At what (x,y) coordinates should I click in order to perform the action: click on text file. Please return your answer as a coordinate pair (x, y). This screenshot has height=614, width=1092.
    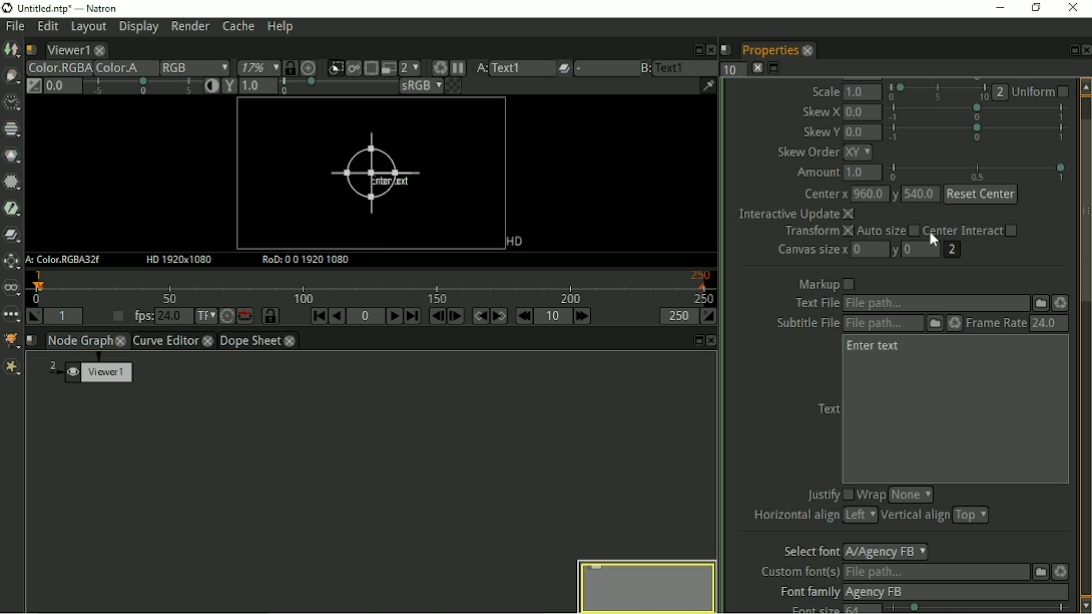
    Looking at the image, I should click on (815, 303).